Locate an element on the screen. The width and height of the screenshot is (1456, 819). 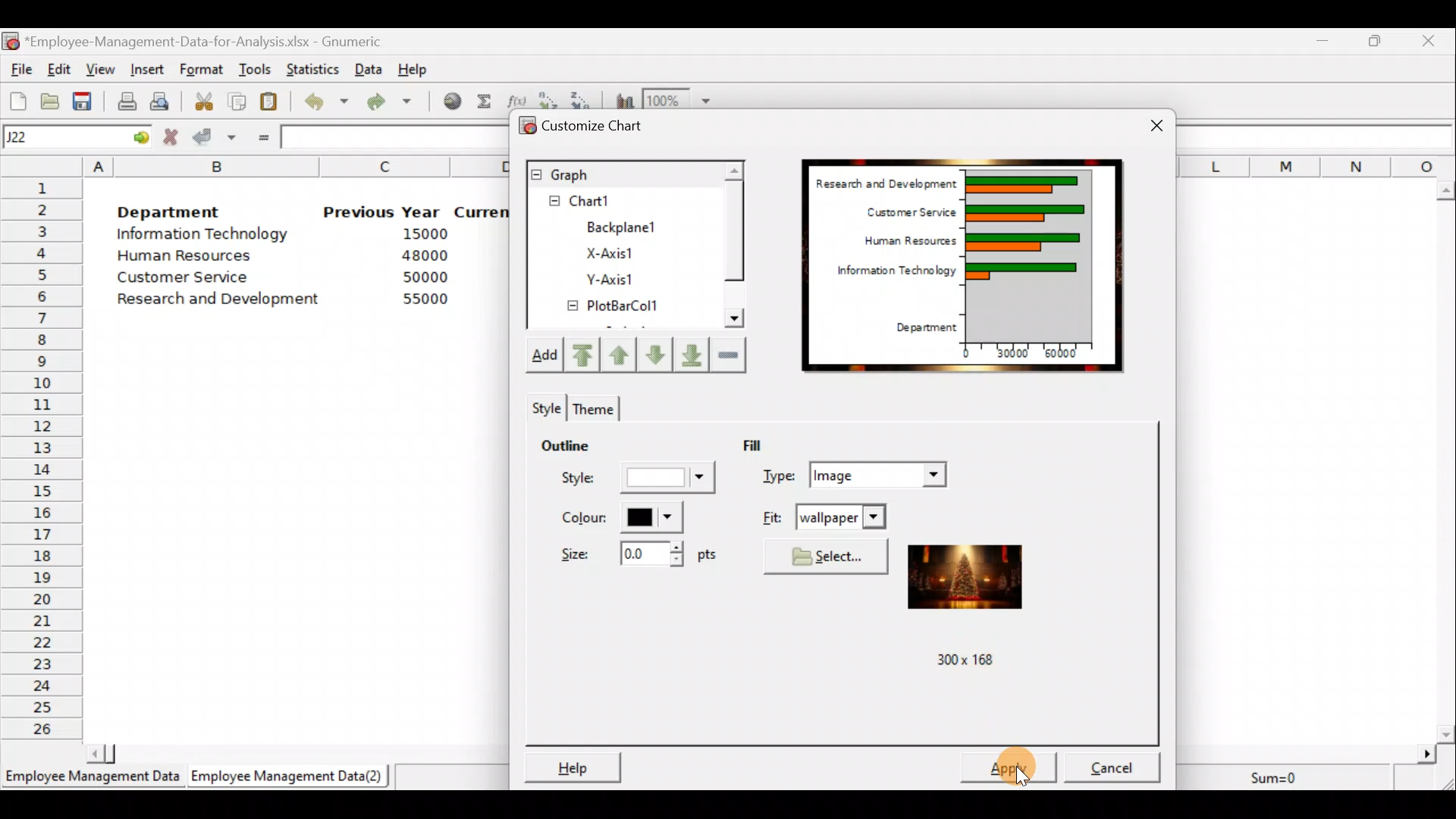
Move upward is located at coordinates (587, 354).